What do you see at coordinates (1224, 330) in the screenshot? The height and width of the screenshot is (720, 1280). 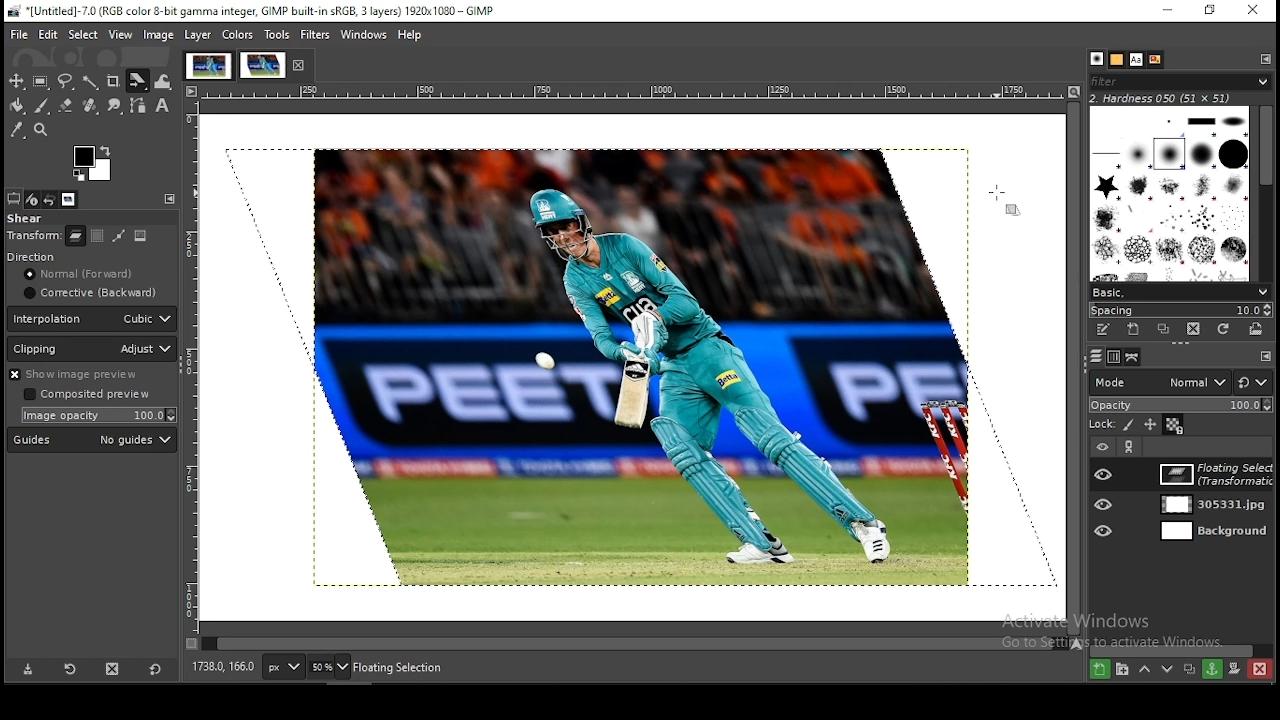 I see `refresh brushes` at bounding box center [1224, 330].